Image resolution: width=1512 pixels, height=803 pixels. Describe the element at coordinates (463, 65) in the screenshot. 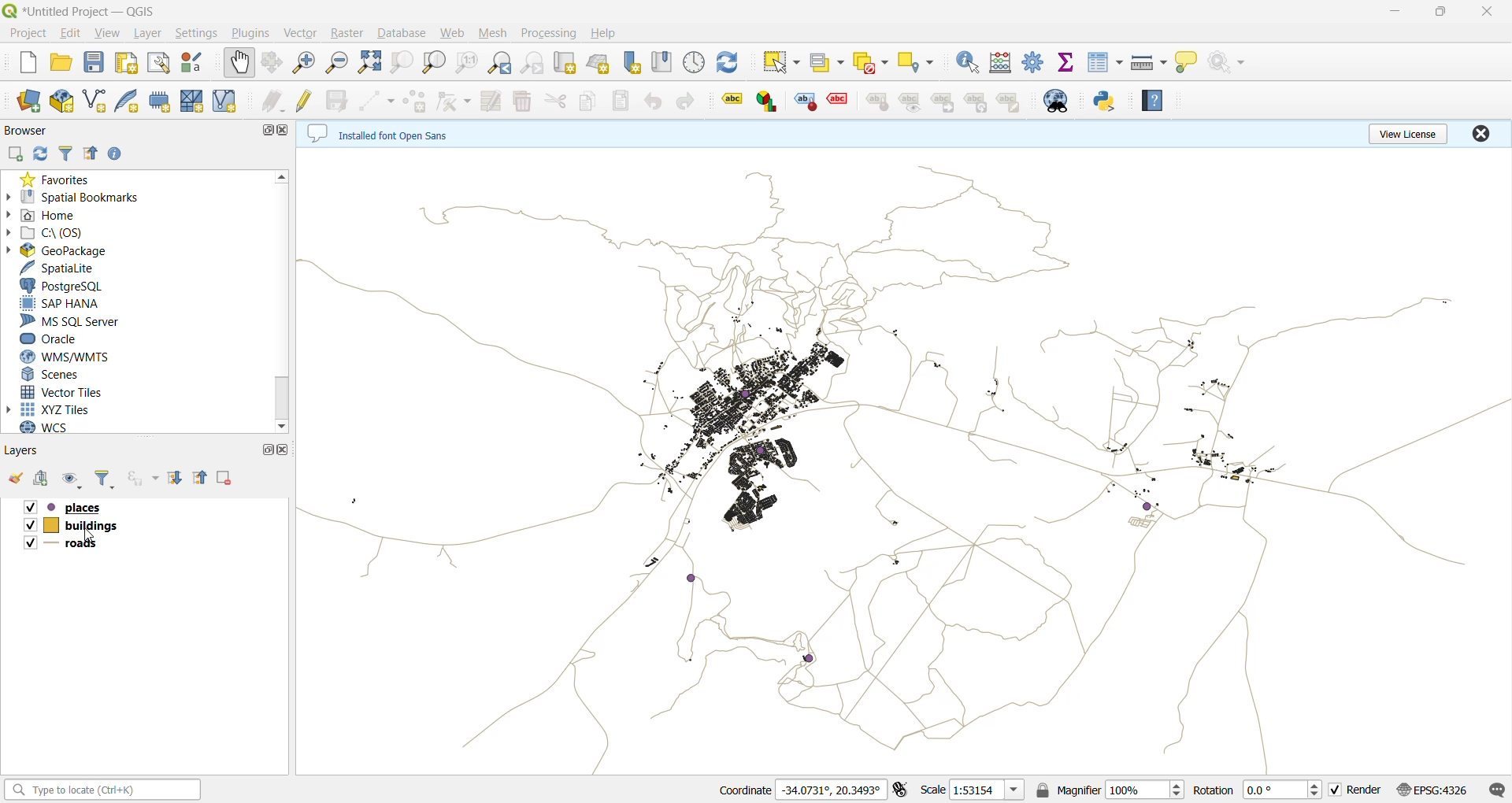

I see `zoom native` at that location.